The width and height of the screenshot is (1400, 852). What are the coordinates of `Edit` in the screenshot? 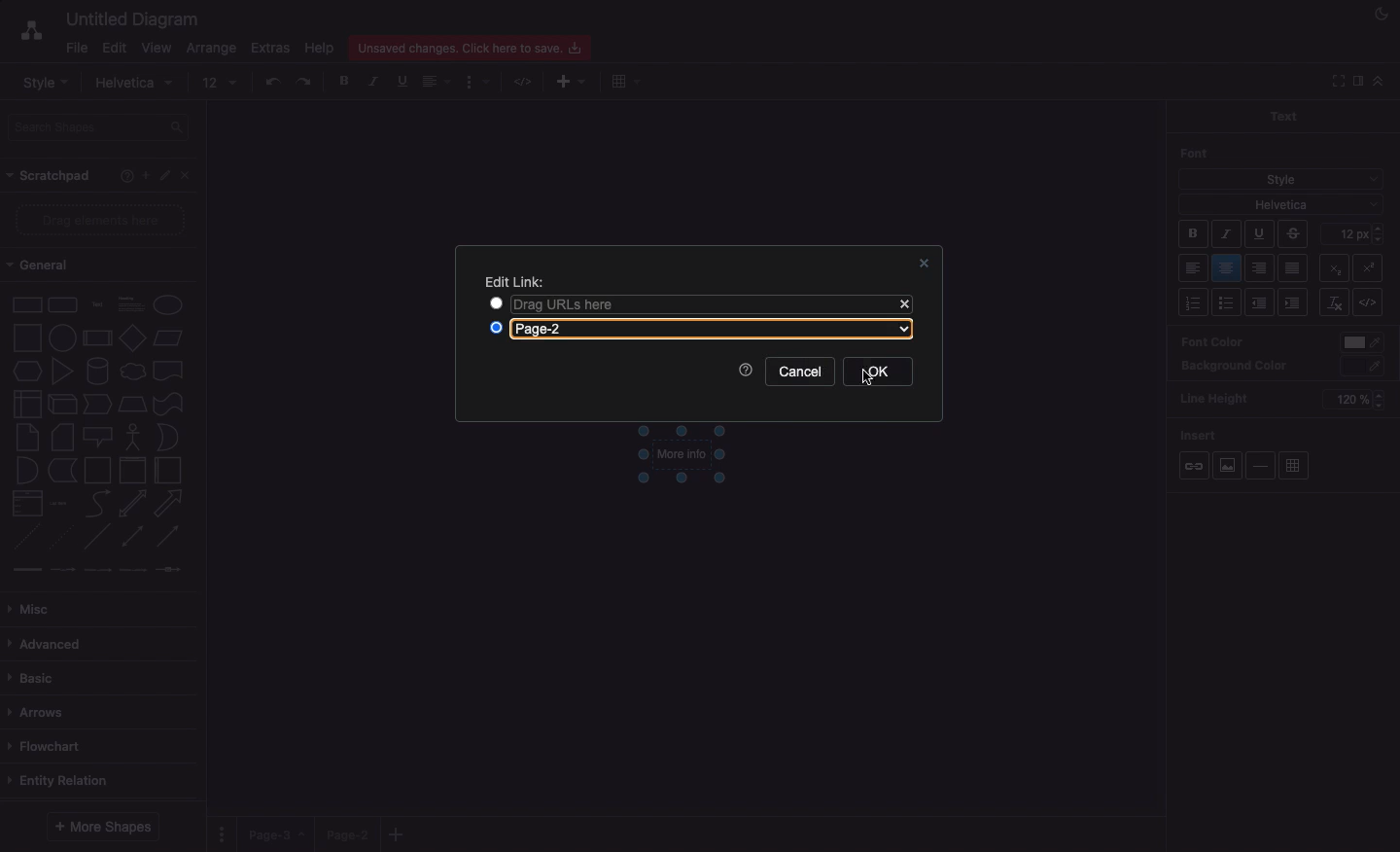 It's located at (114, 49).